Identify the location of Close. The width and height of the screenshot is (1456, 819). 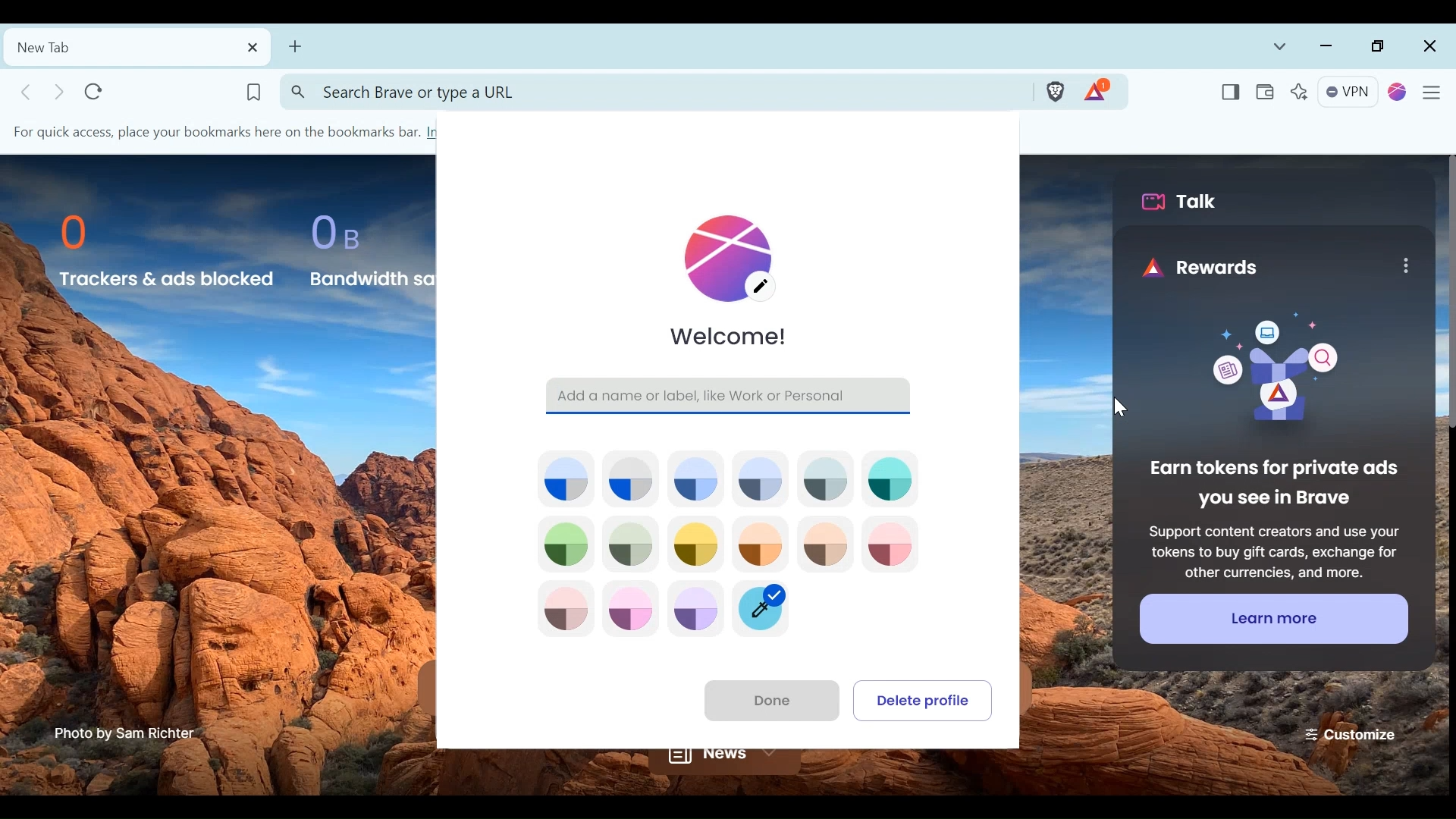
(1428, 47).